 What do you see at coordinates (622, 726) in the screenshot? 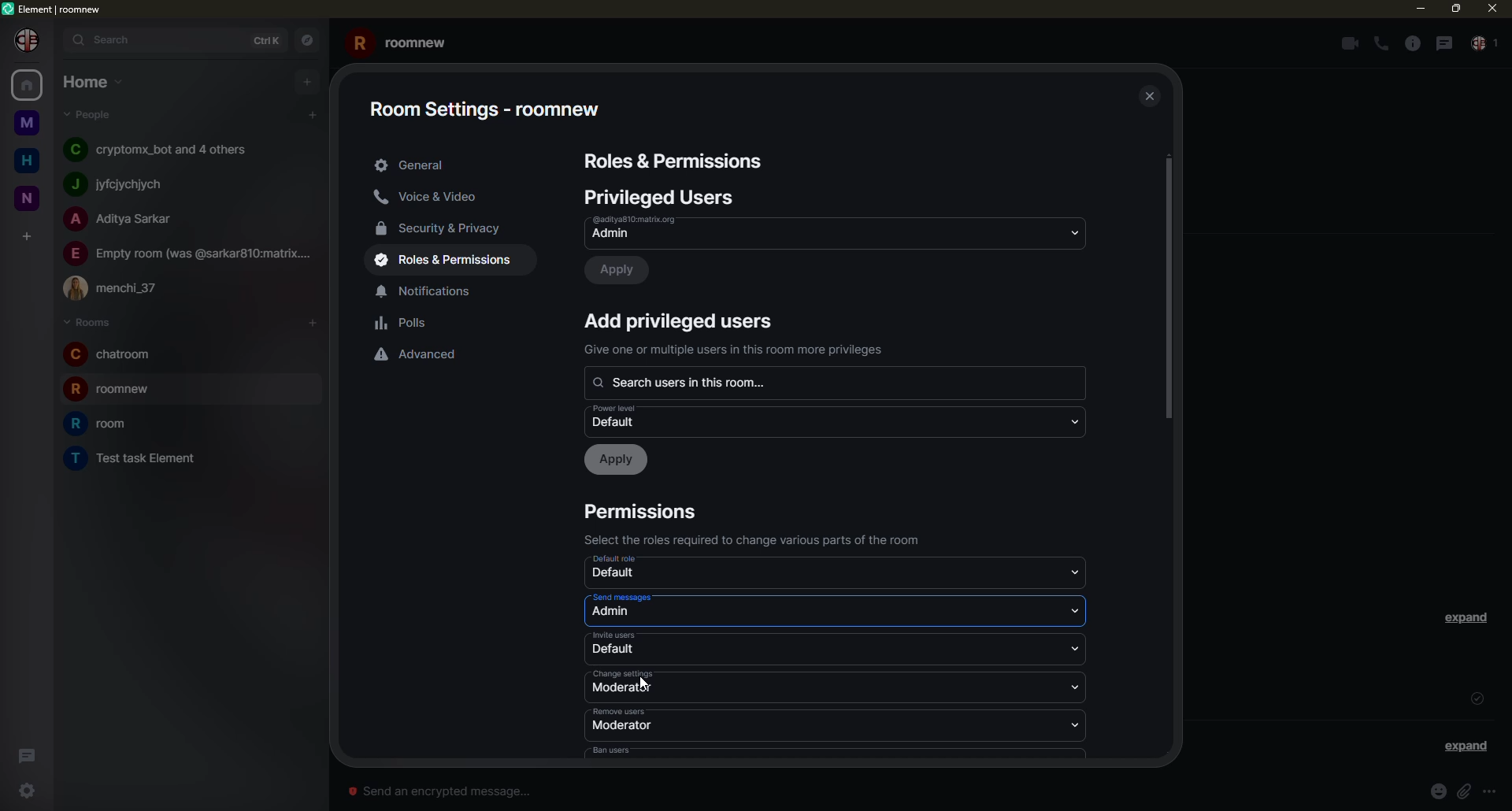
I see `moderator` at bounding box center [622, 726].